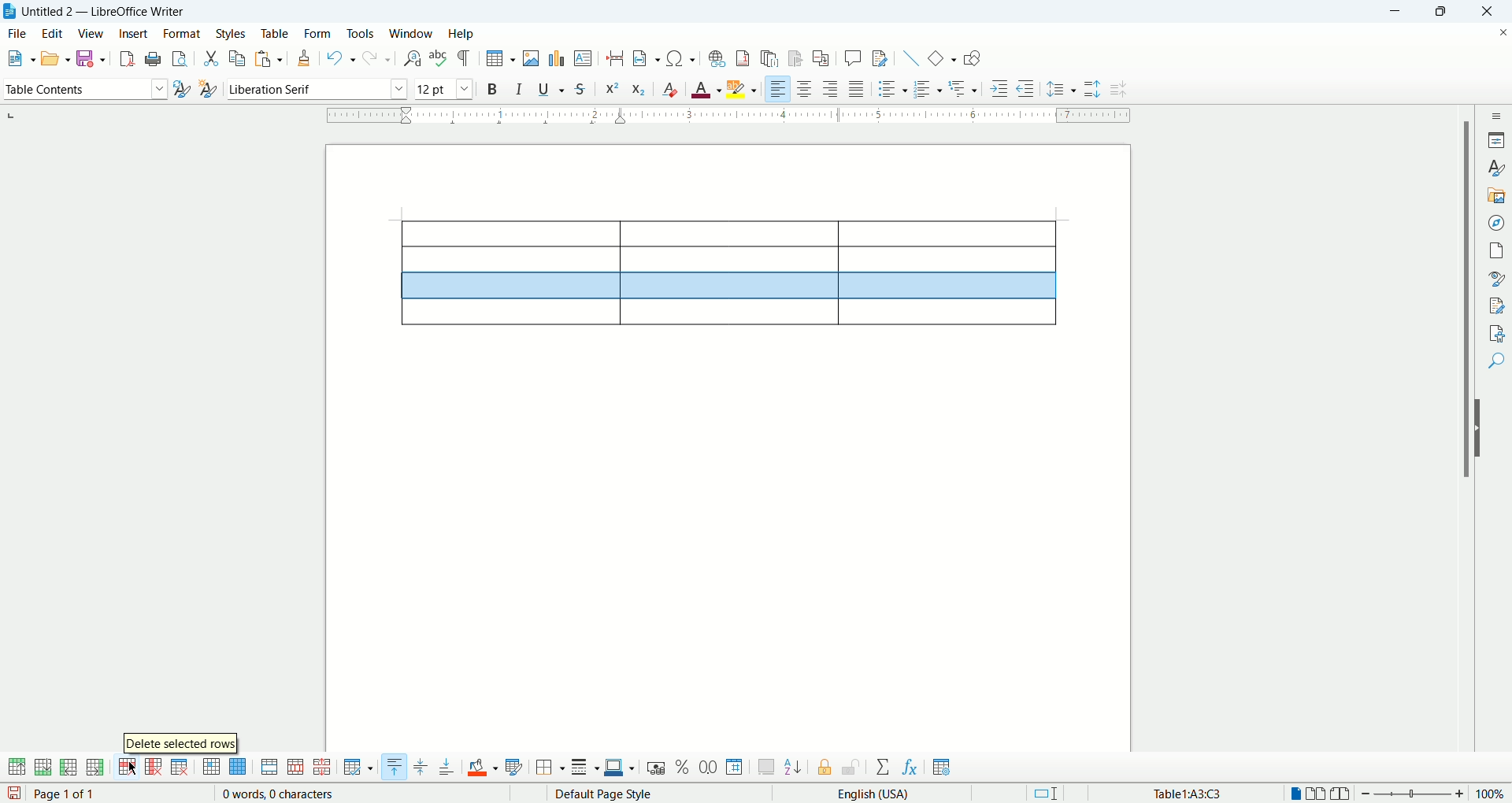  What do you see at coordinates (183, 34) in the screenshot?
I see `format` at bounding box center [183, 34].